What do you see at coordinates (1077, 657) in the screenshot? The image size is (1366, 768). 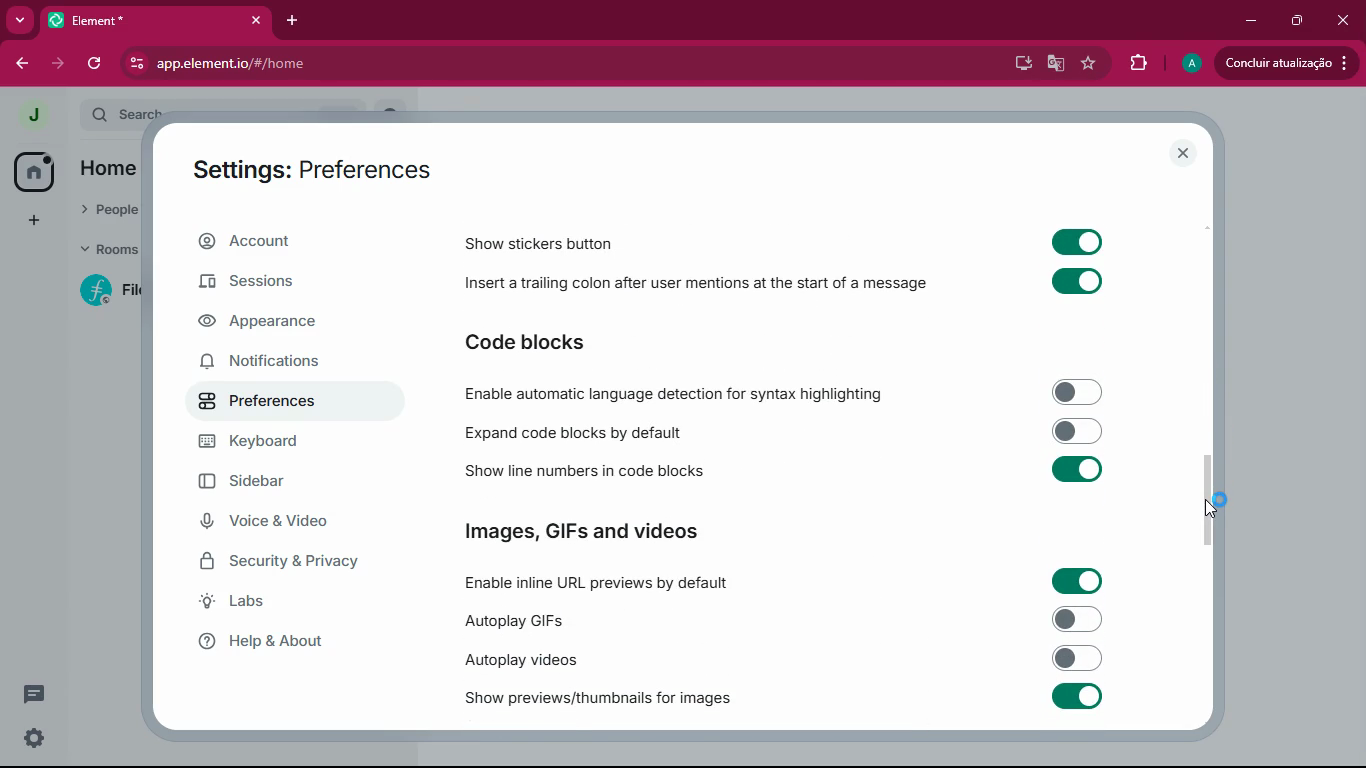 I see `Toggle off` at bounding box center [1077, 657].